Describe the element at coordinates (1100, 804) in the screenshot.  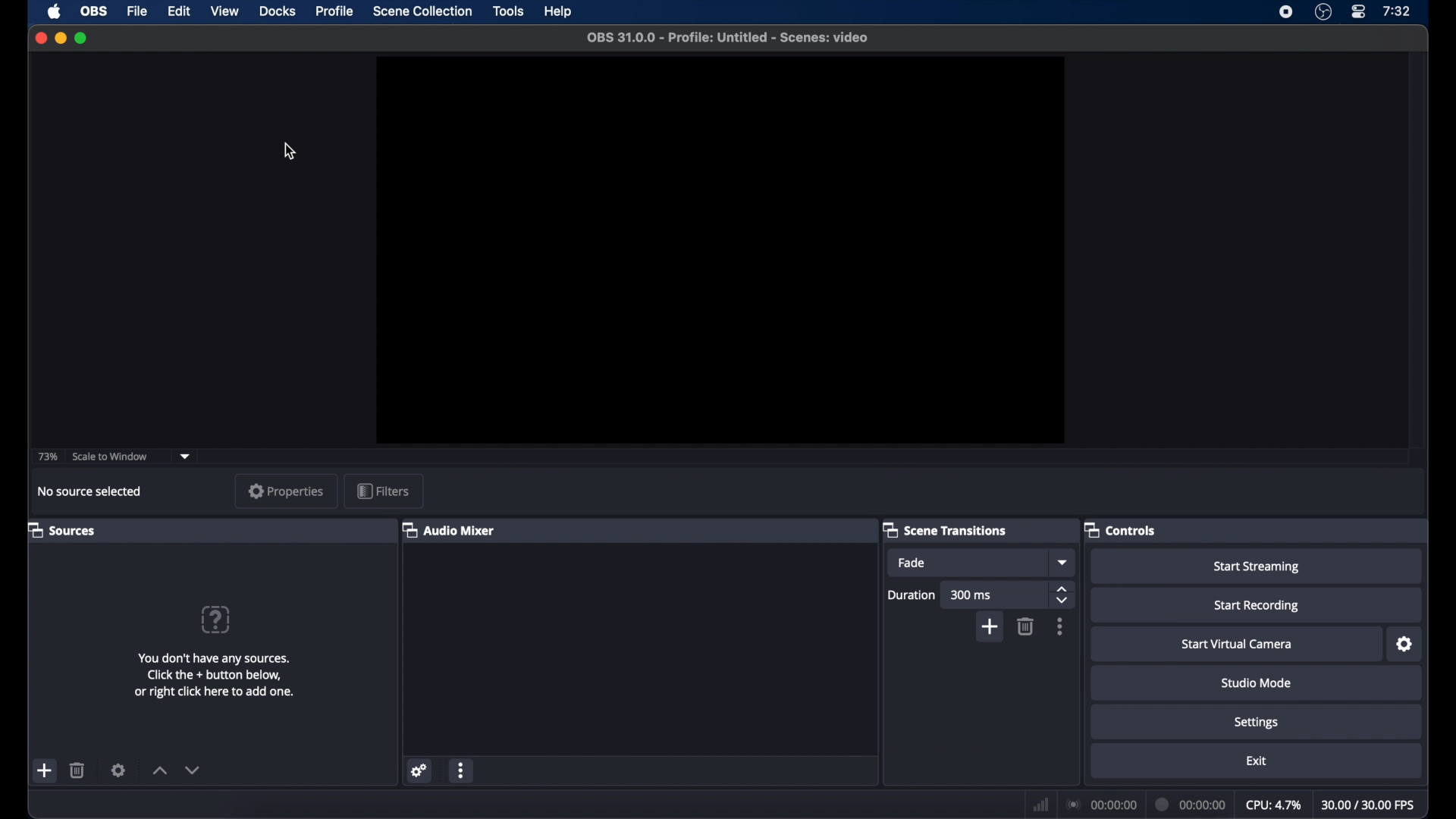
I see `00:00:00` at that location.